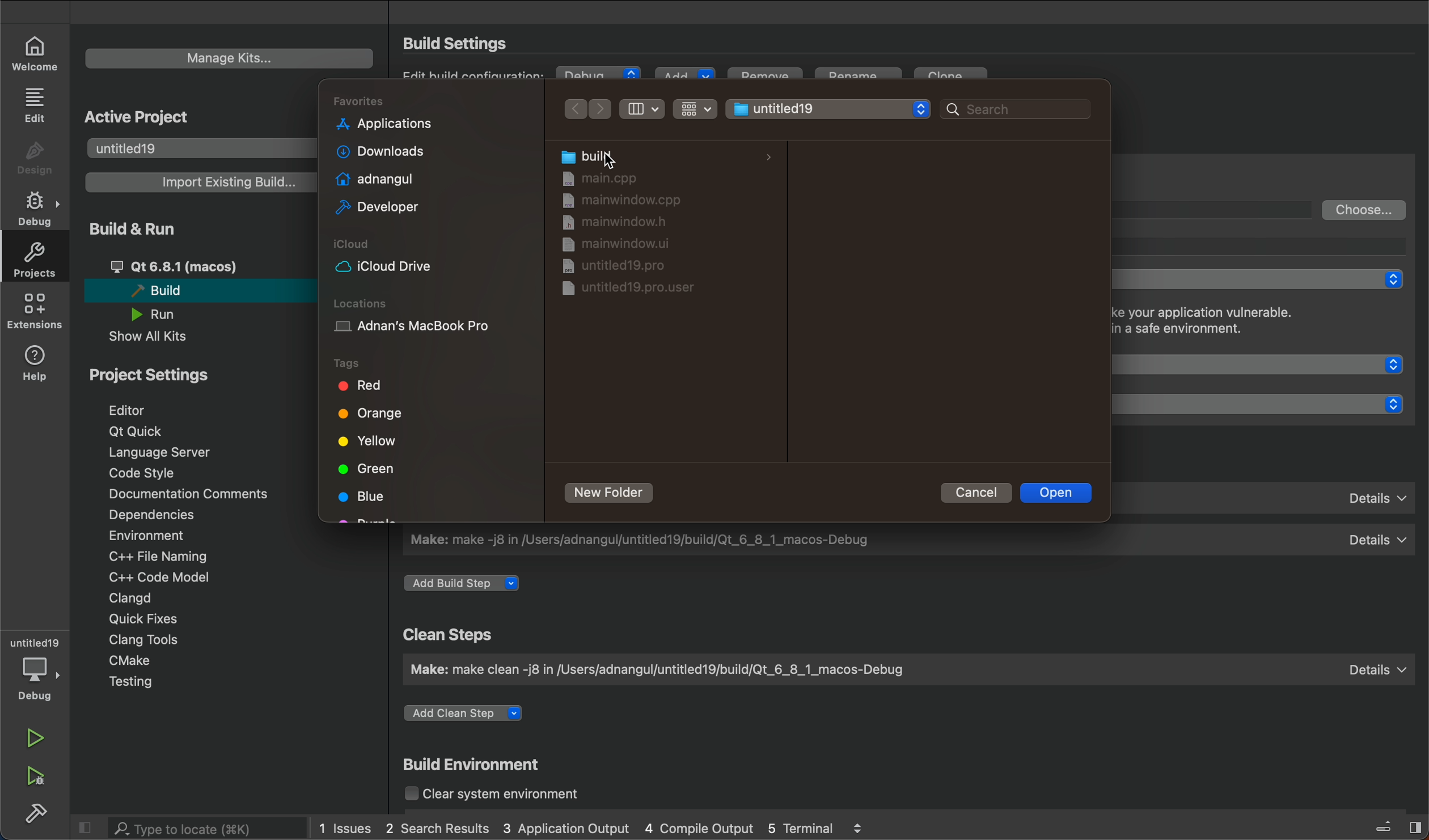  Describe the element at coordinates (828, 107) in the screenshot. I see `Untitled ` at that location.